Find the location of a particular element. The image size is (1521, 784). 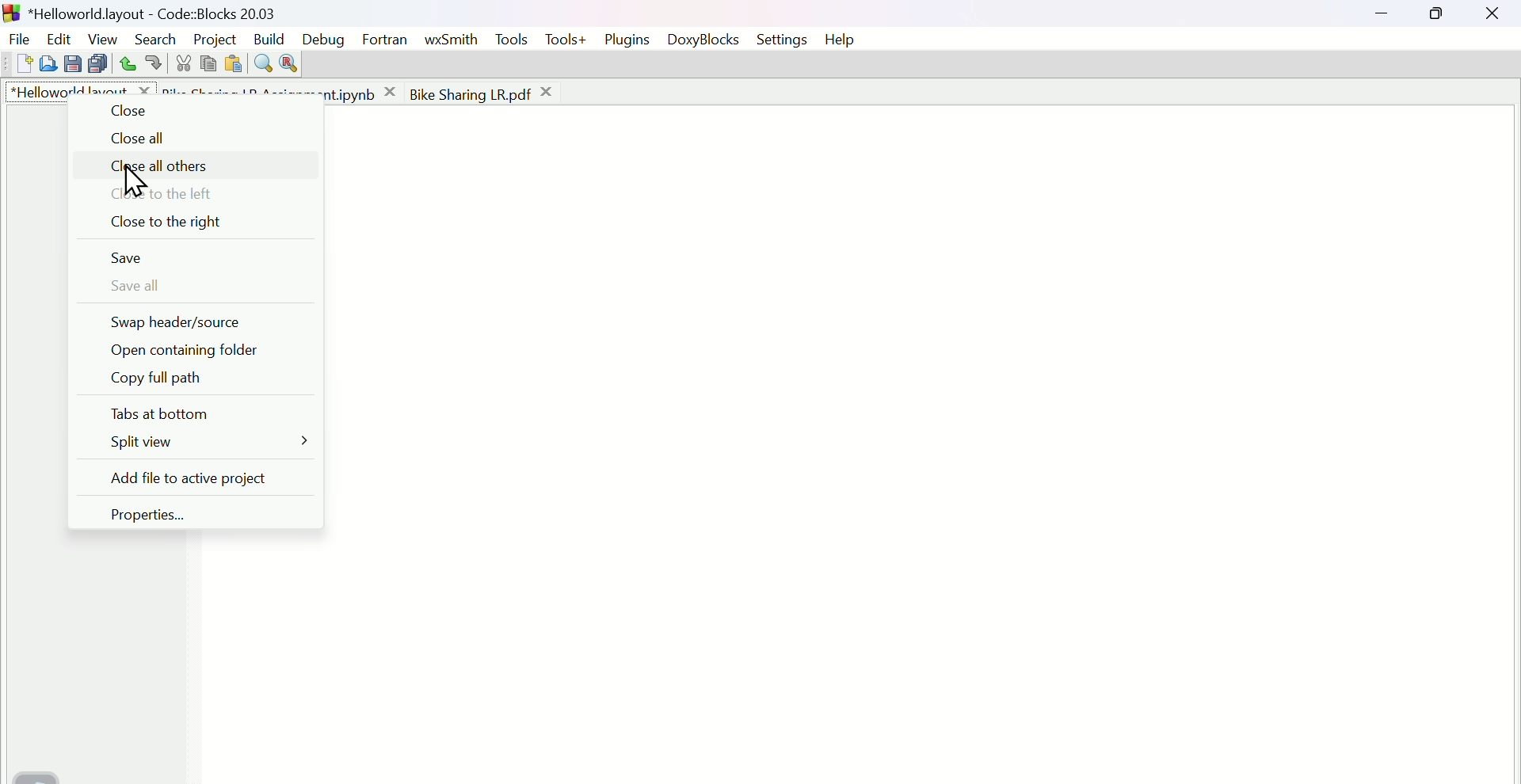

Debug is located at coordinates (323, 37).